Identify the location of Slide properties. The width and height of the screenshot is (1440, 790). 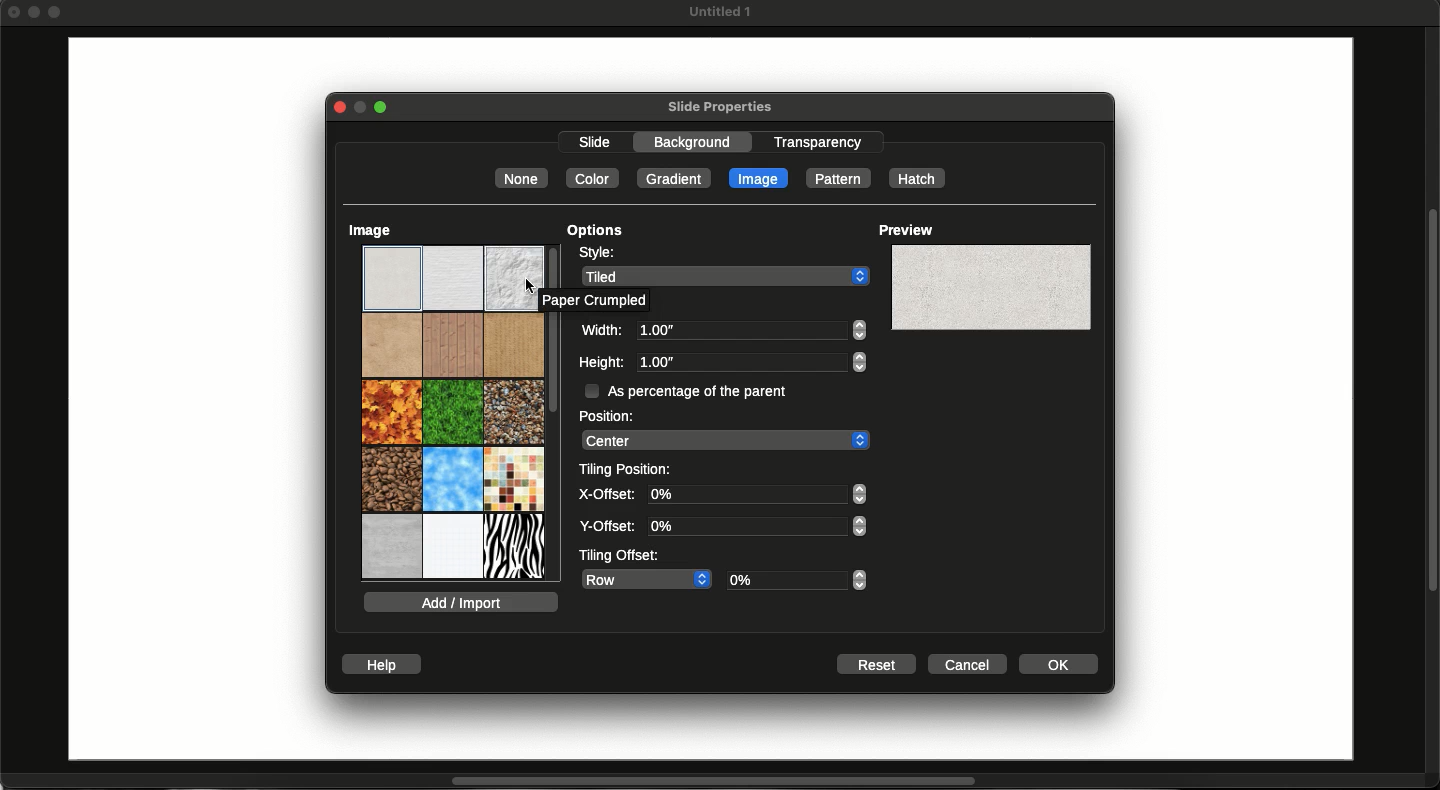
(719, 108).